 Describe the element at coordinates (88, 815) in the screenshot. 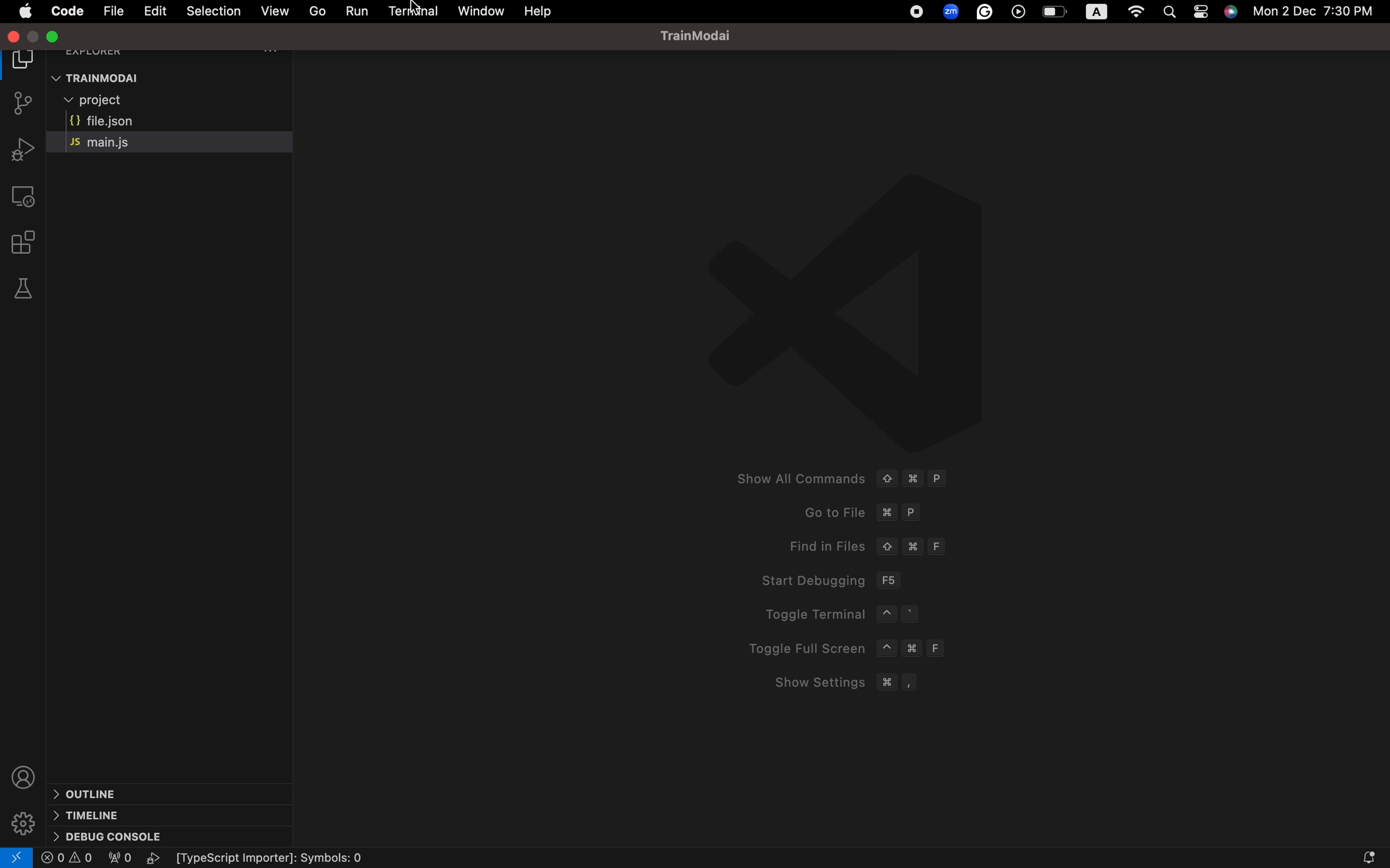

I see `` at that location.